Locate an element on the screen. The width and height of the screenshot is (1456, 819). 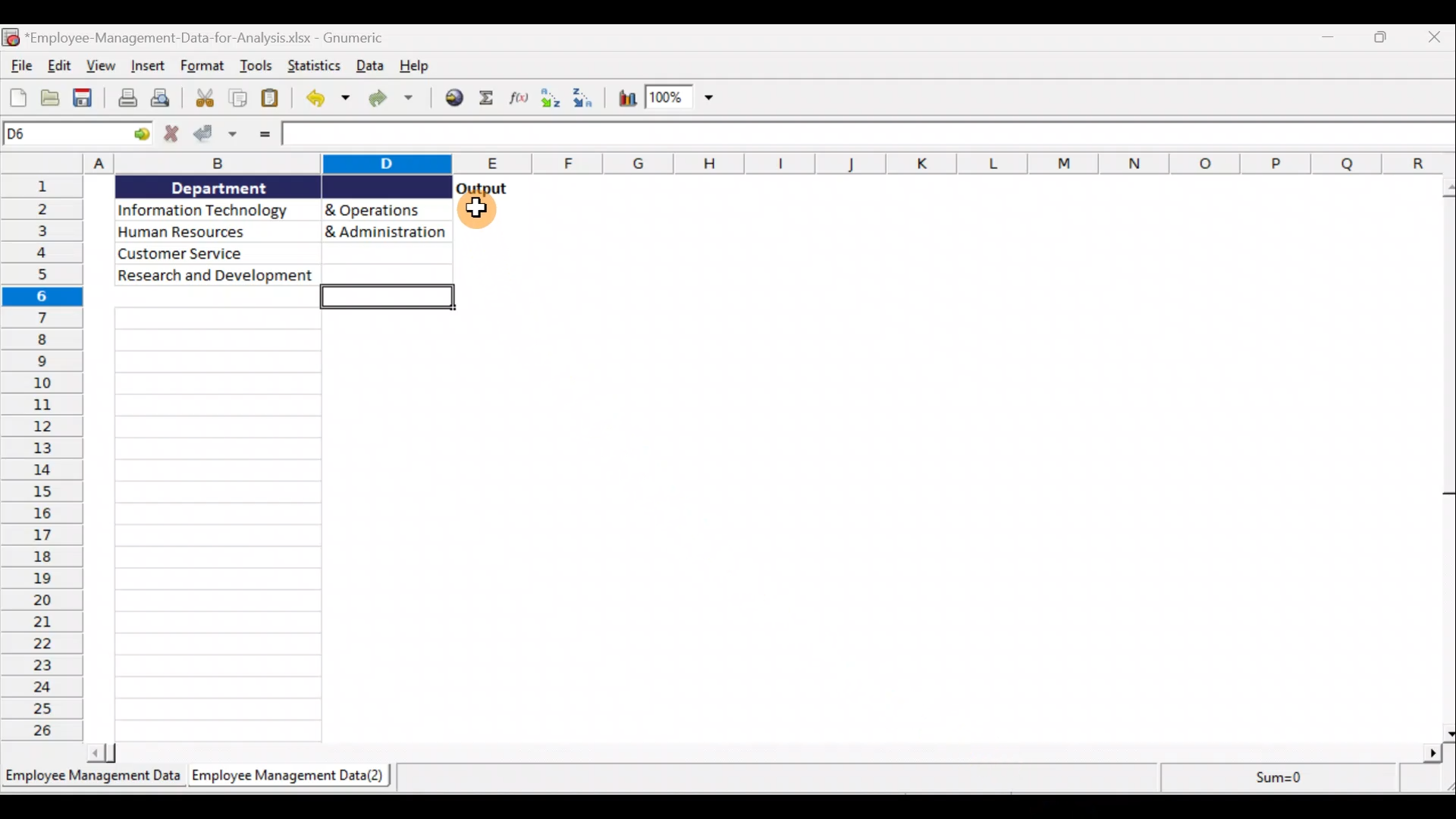
File is located at coordinates (18, 65).